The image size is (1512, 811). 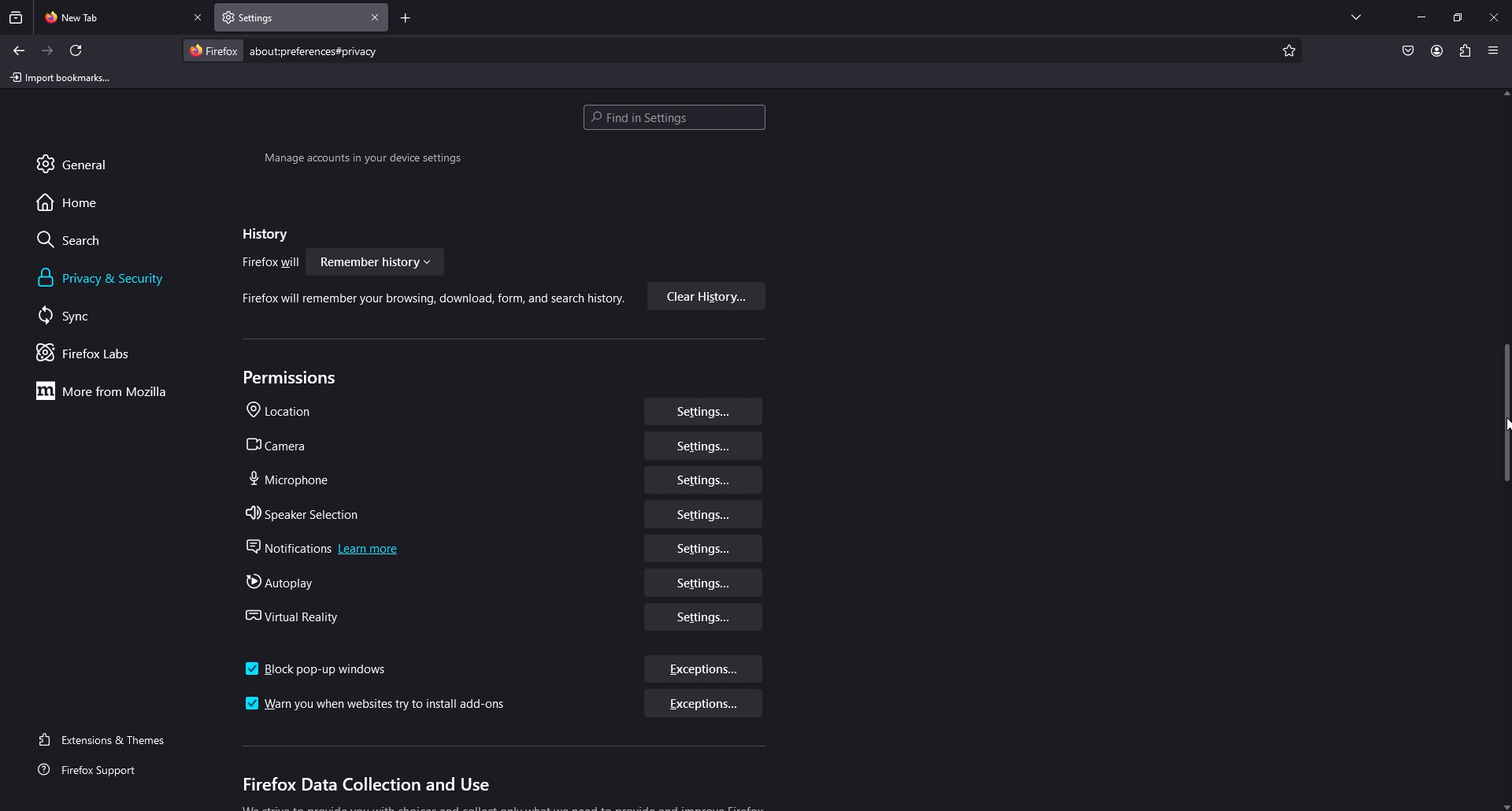 What do you see at coordinates (110, 391) in the screenshot?
I see `more from mozilla` at bounding box center [110, 391].